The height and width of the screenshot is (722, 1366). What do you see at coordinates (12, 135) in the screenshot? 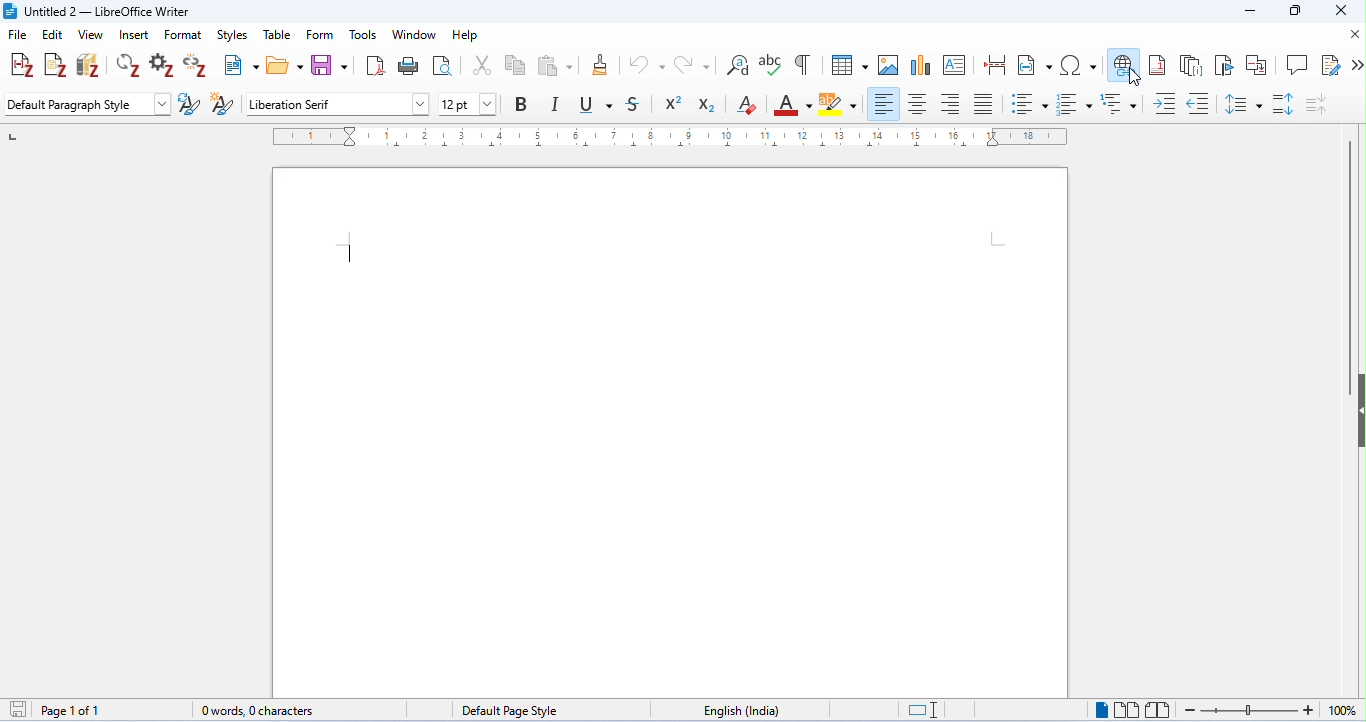
I see `left numbering in ruler` at bounding box center [12, 135].